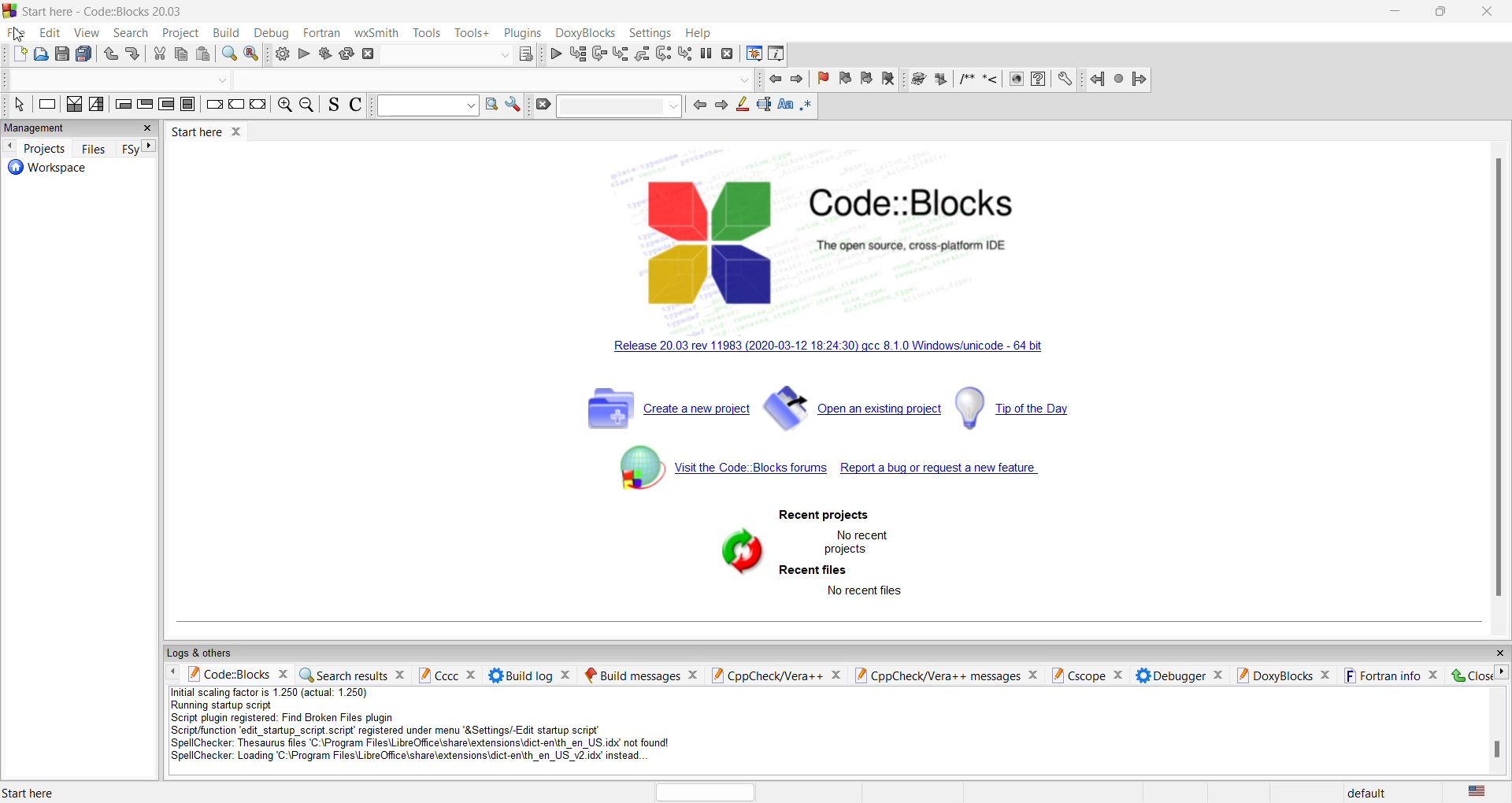  Describe the element at coordinates (100, 109) in the screenshot. I see `selection` at that location.